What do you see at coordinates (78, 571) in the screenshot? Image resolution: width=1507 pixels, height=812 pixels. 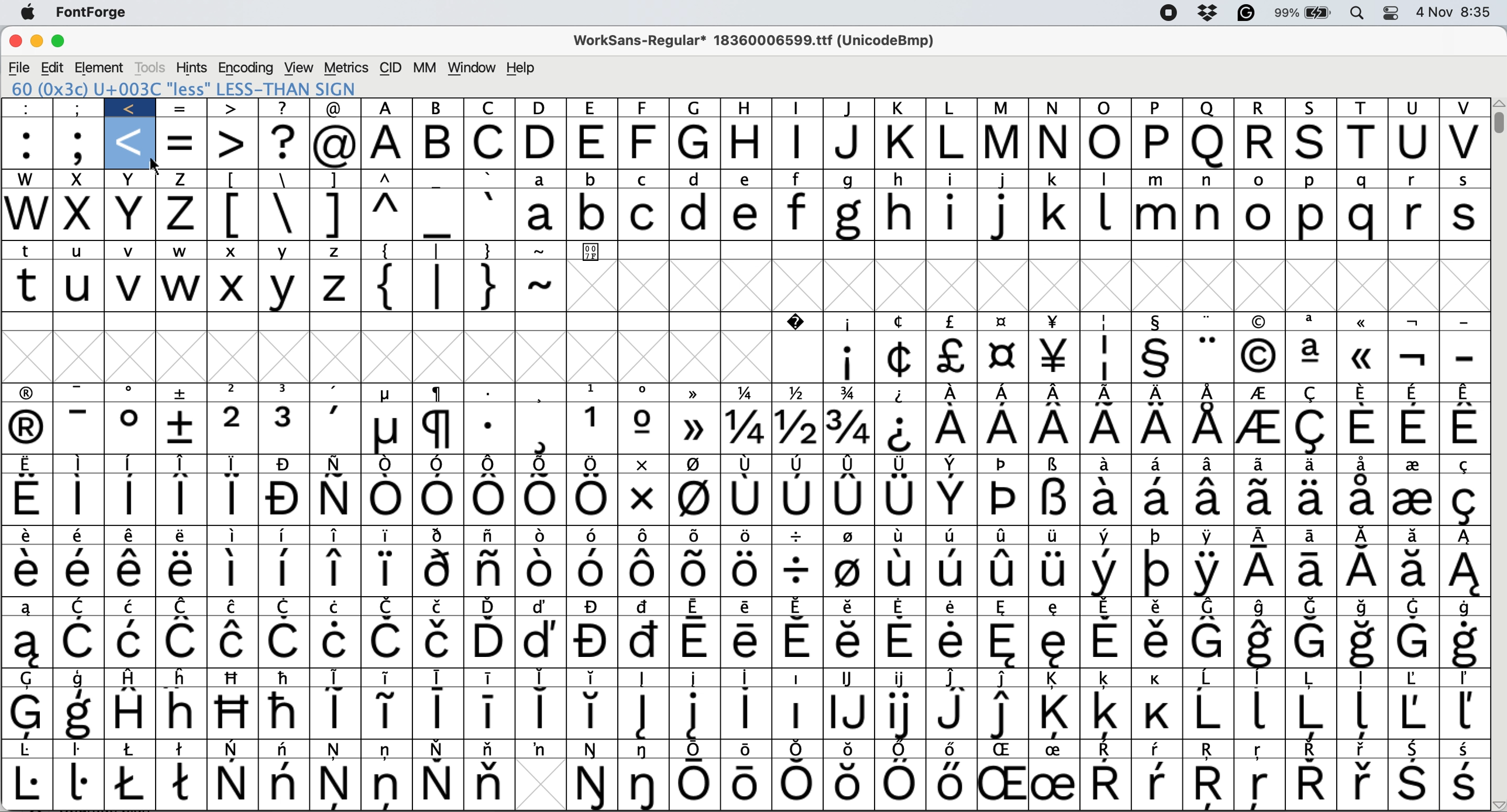 I see `Symbol` at bounding box center [78, 571].